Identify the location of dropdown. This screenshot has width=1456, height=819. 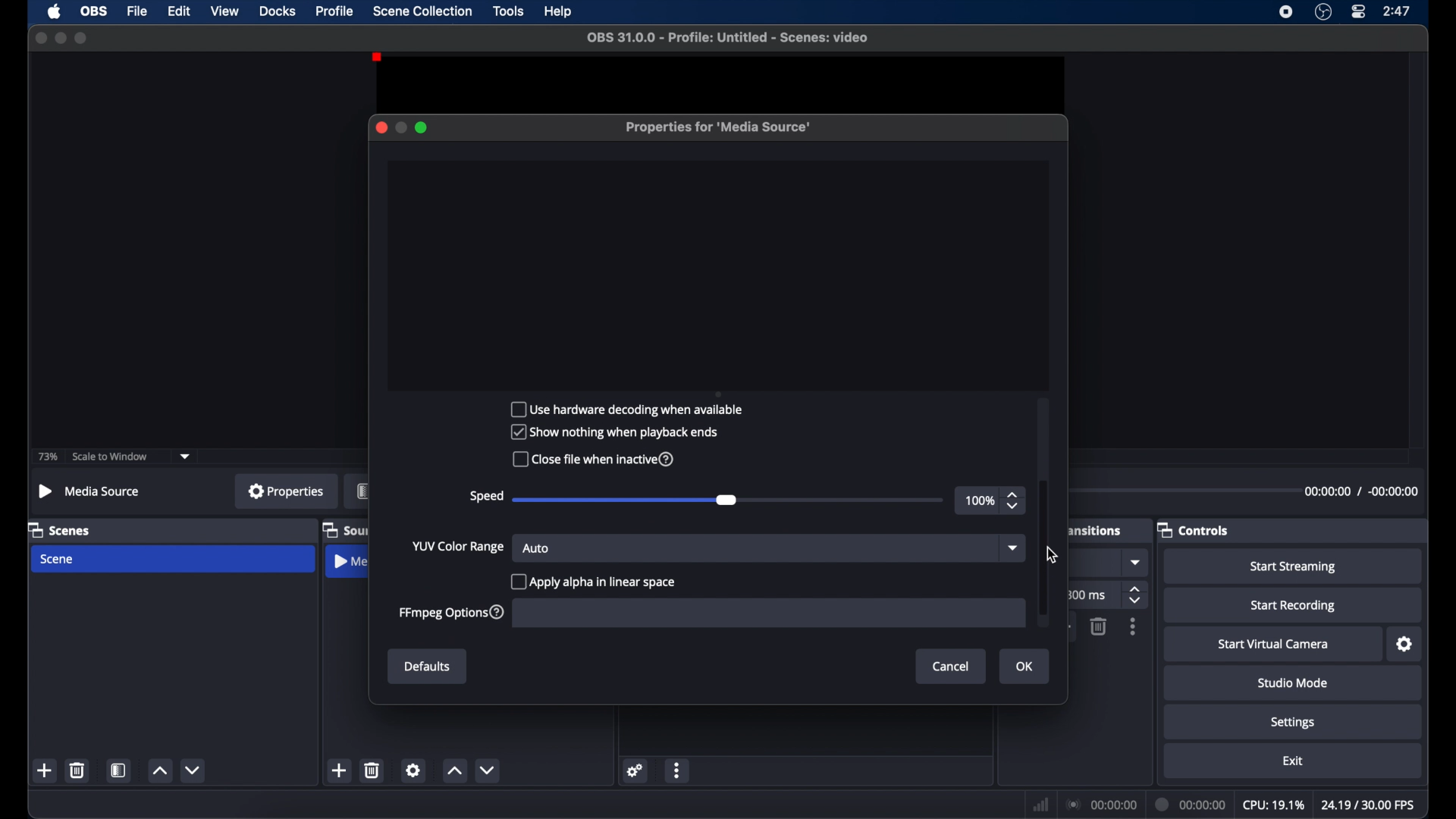
(1013, 547).